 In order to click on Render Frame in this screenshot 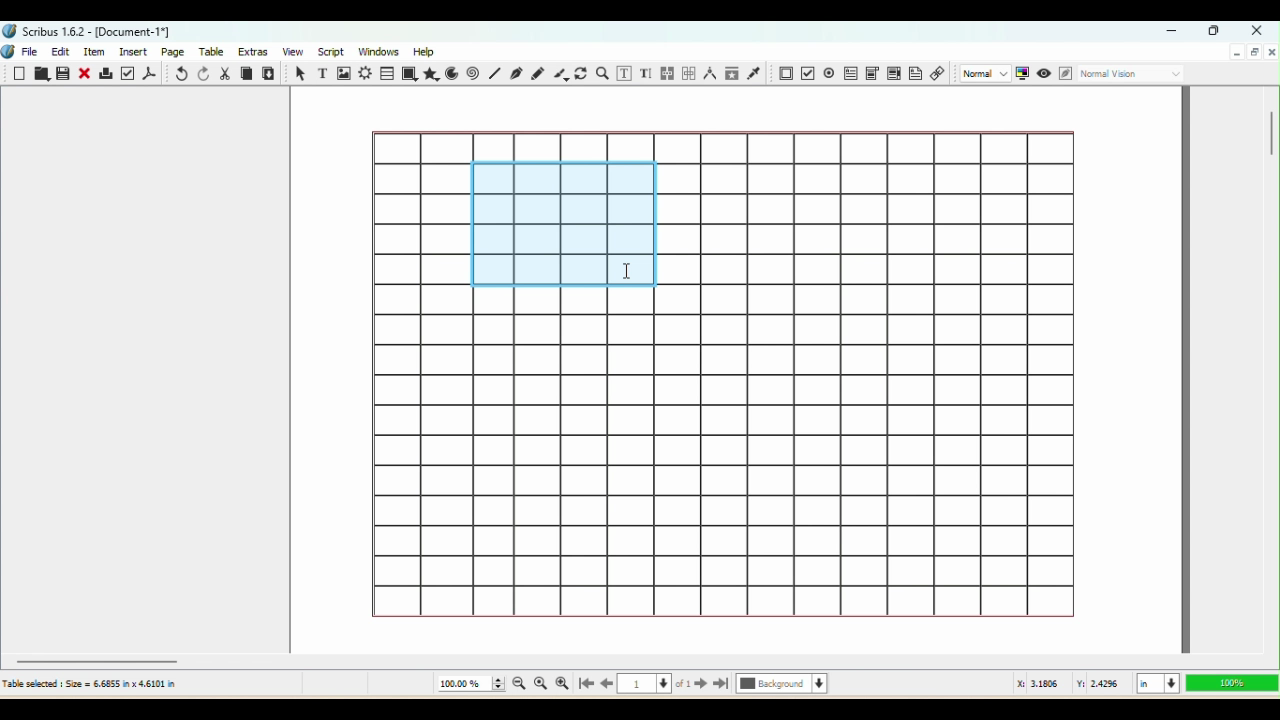, I will do `click(365, 73)`.